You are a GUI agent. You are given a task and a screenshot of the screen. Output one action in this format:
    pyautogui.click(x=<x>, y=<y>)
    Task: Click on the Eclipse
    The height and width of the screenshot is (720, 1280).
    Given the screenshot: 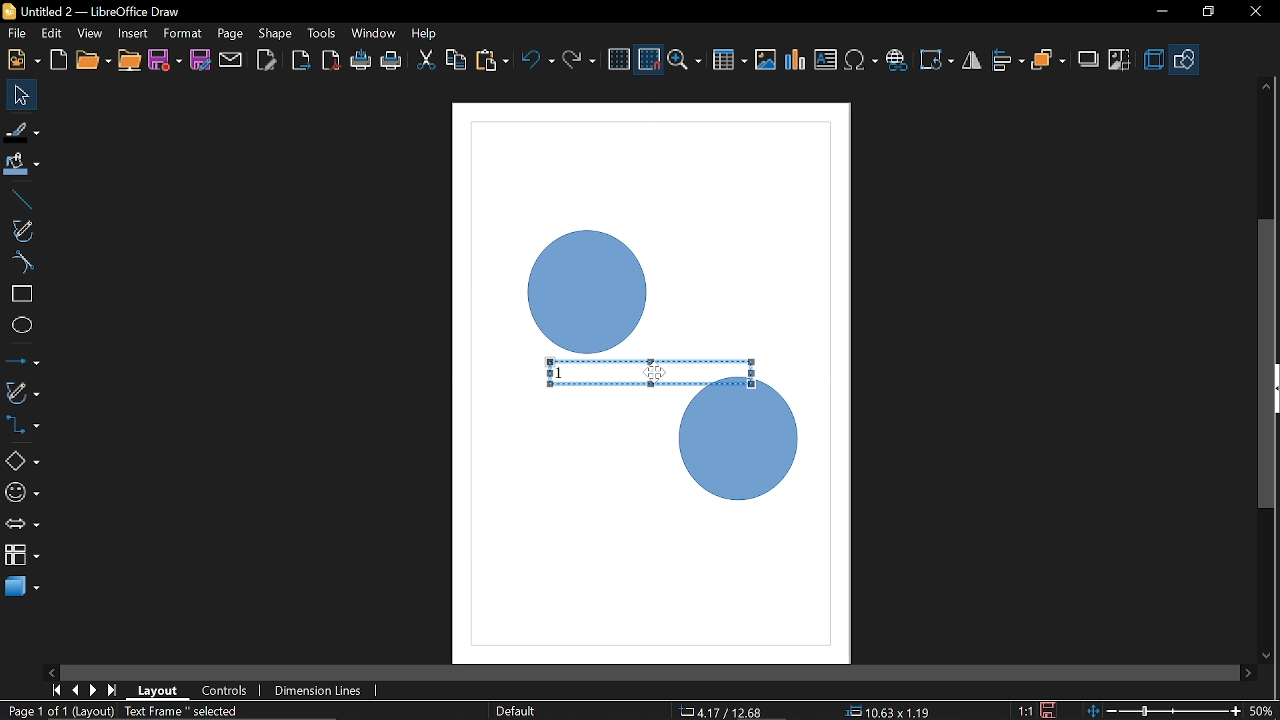 What is the action you would take?
    pyautogui.click(x=22, y=326)
    